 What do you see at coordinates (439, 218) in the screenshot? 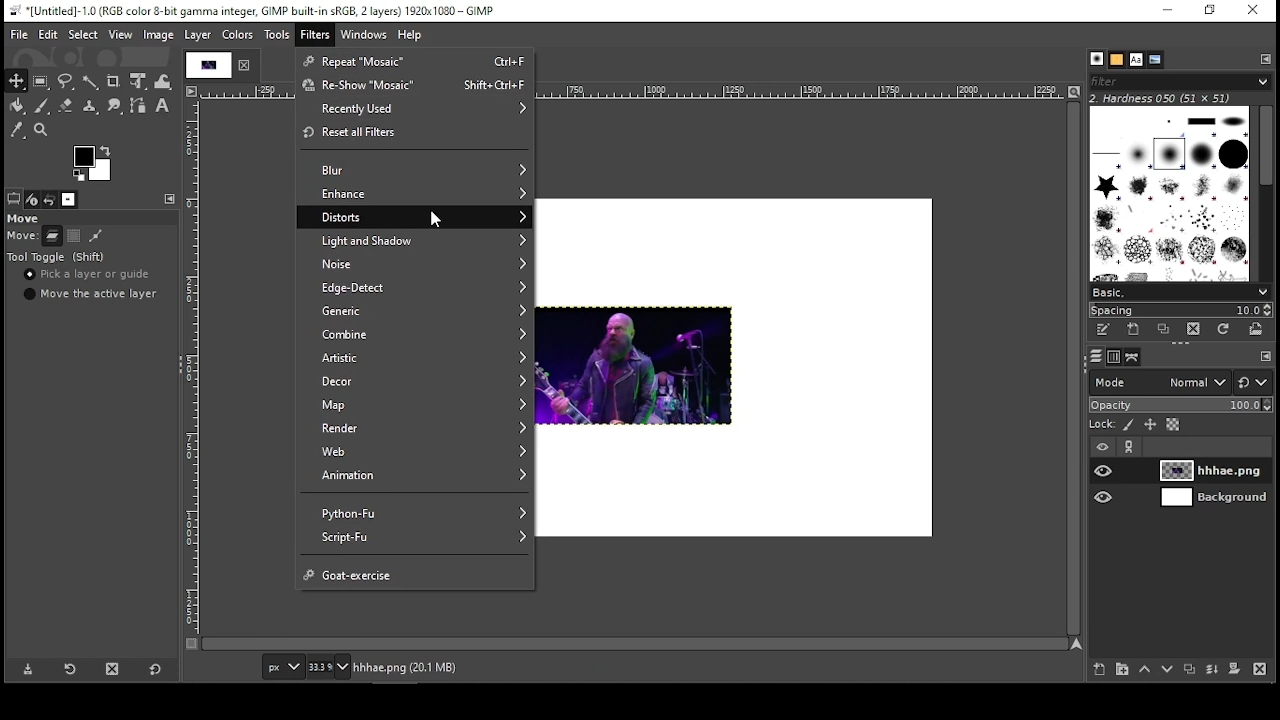
I see `mouse pointer` at bounding box center [439, 218].